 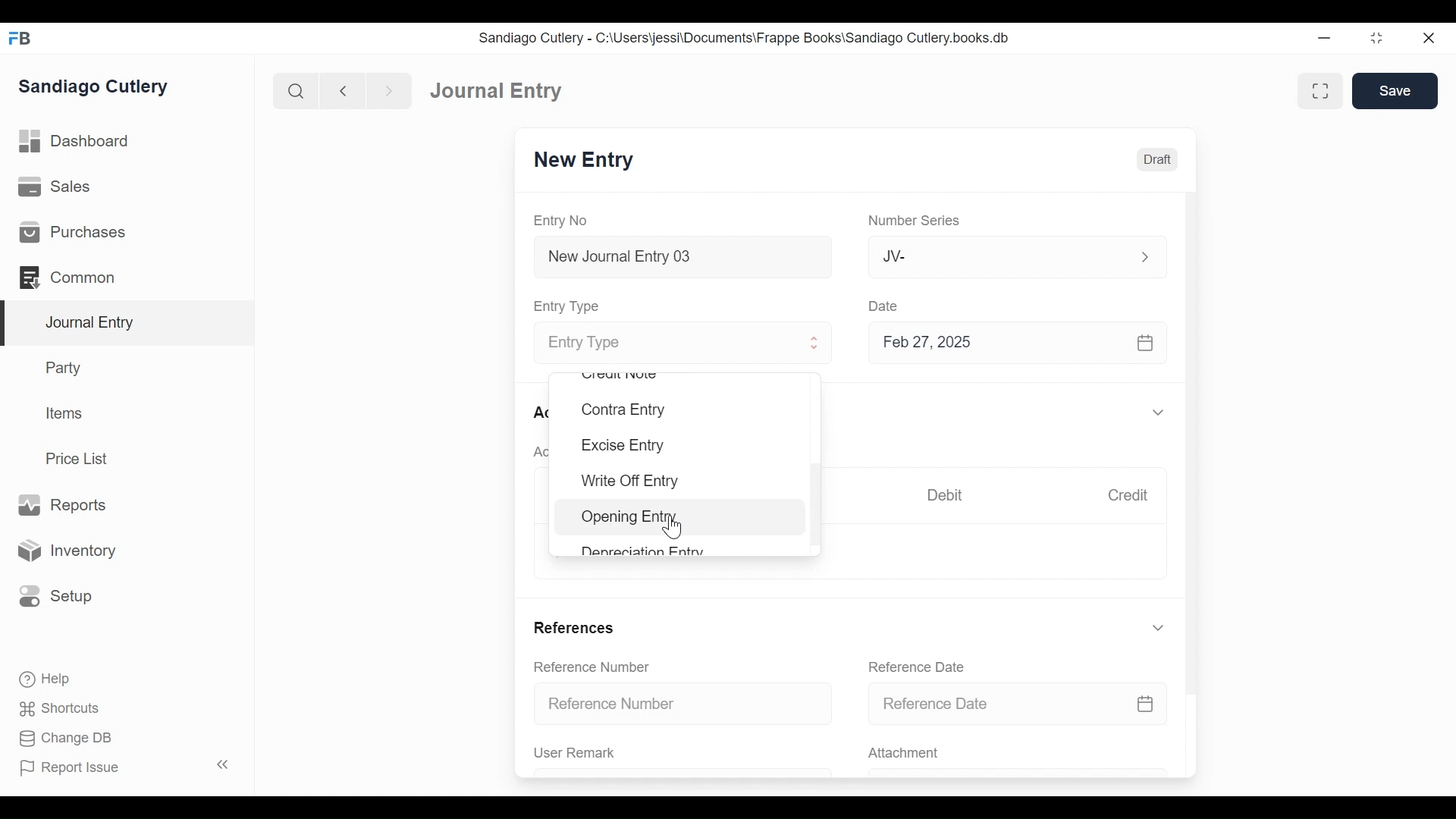 I want to click on Expand, so click(x=1160, y=412).